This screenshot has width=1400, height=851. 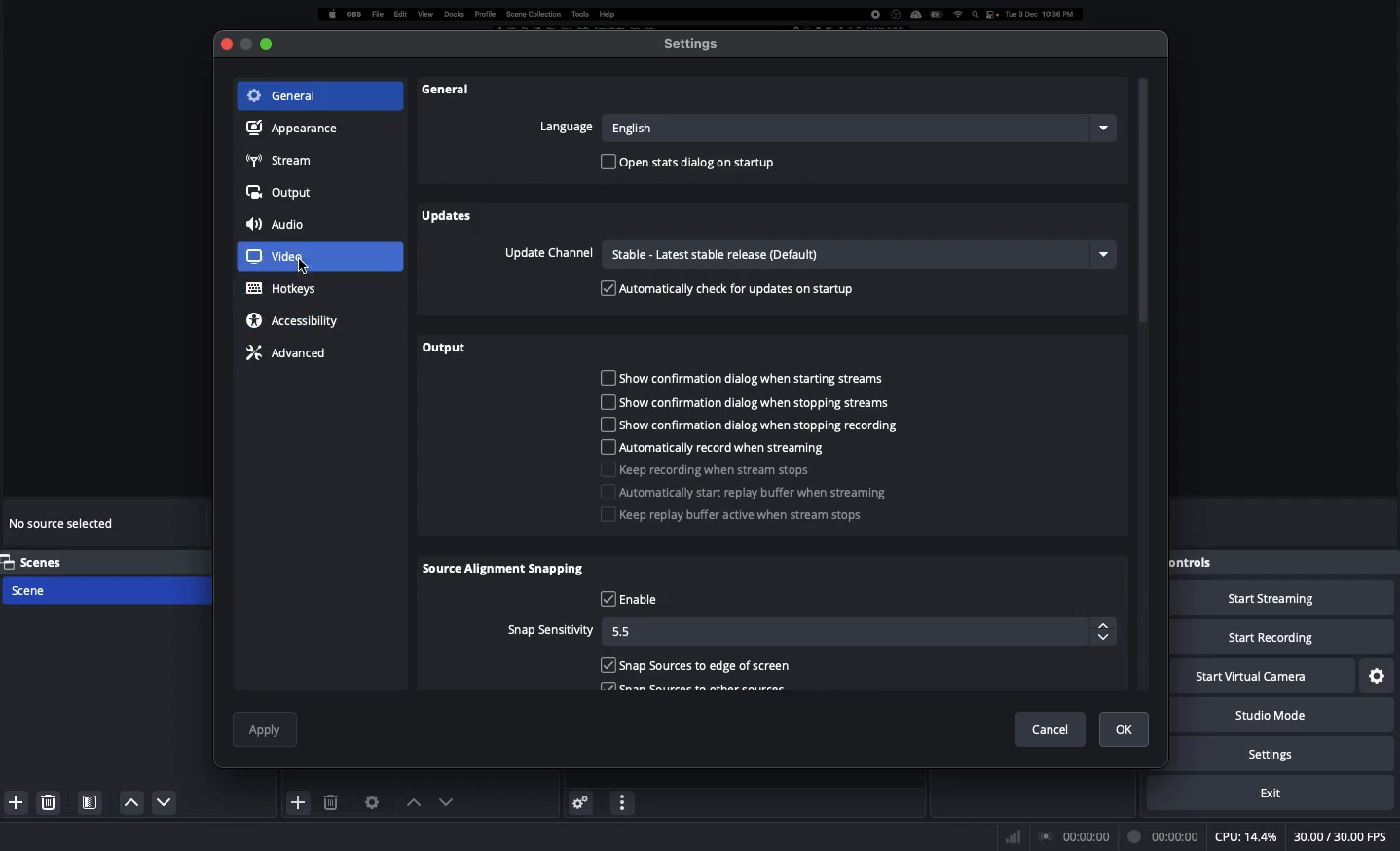 What do you see at coordinates (445, 91) in the screenshot?
I see `General ` at bounding box center [445, 91].